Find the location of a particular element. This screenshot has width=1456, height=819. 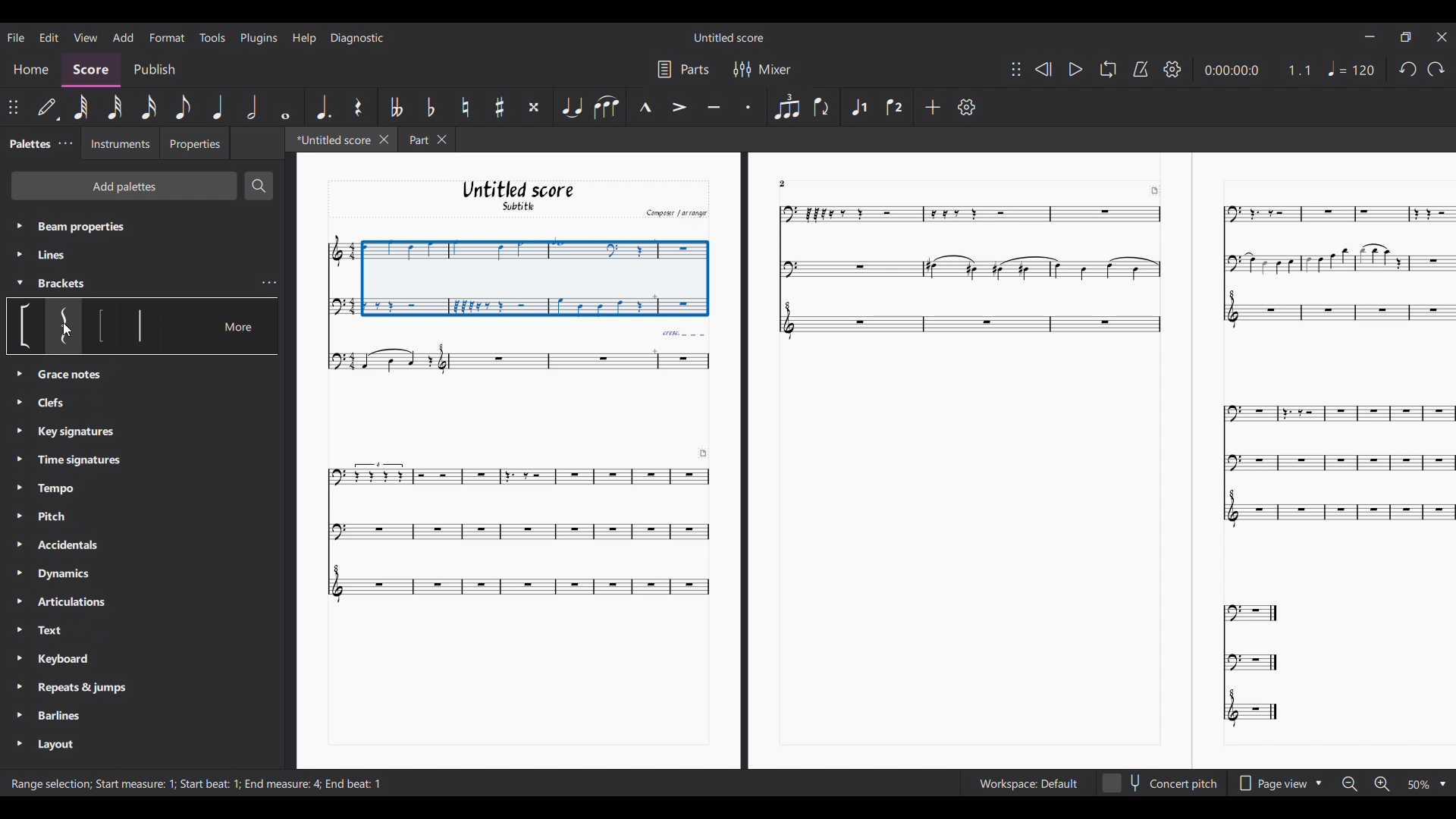

Keyboard is located at coordinates (75, 661).